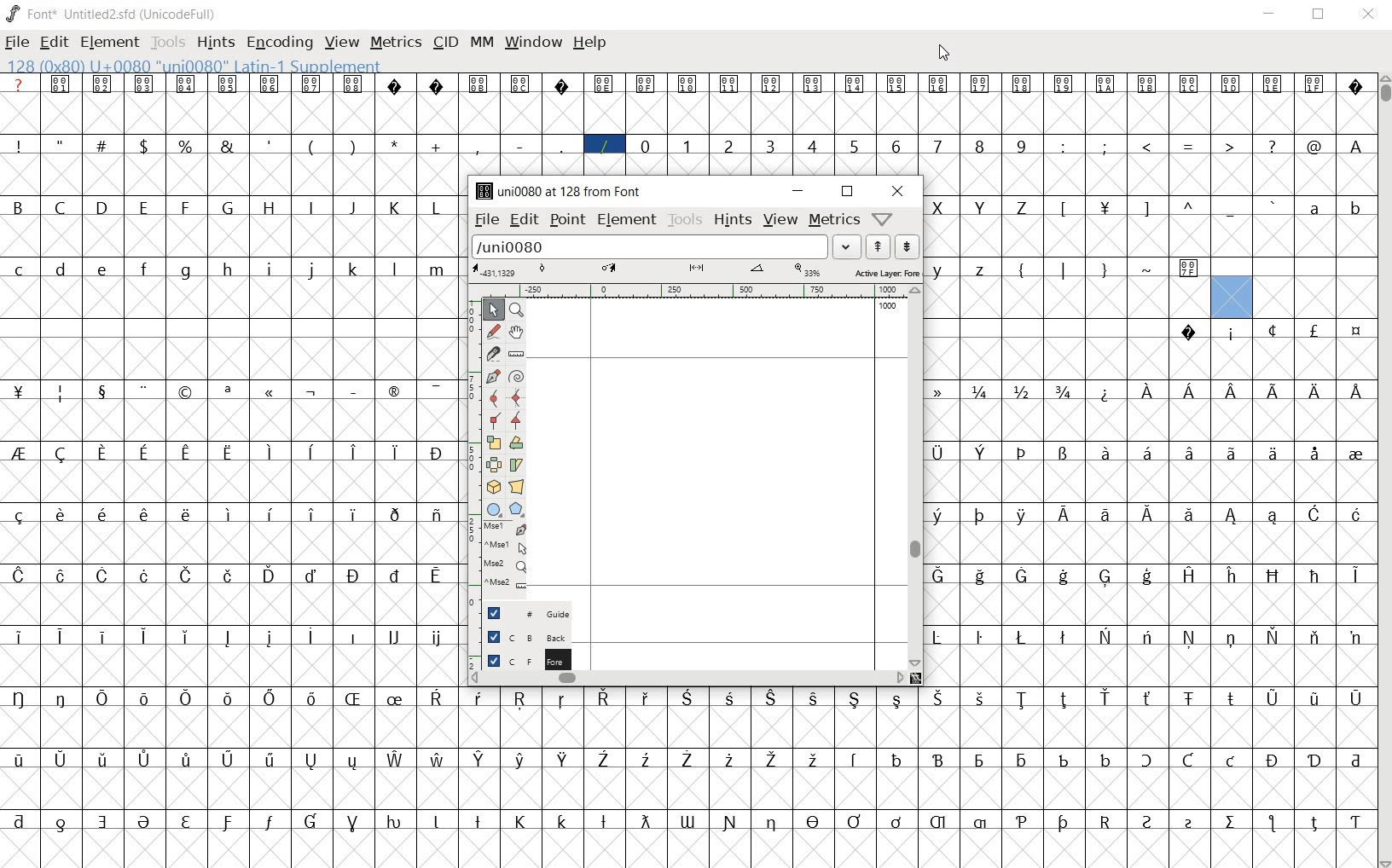  Describe the element at coordinates (19, 84) in the screenshot. I see `Glyph` at that location.